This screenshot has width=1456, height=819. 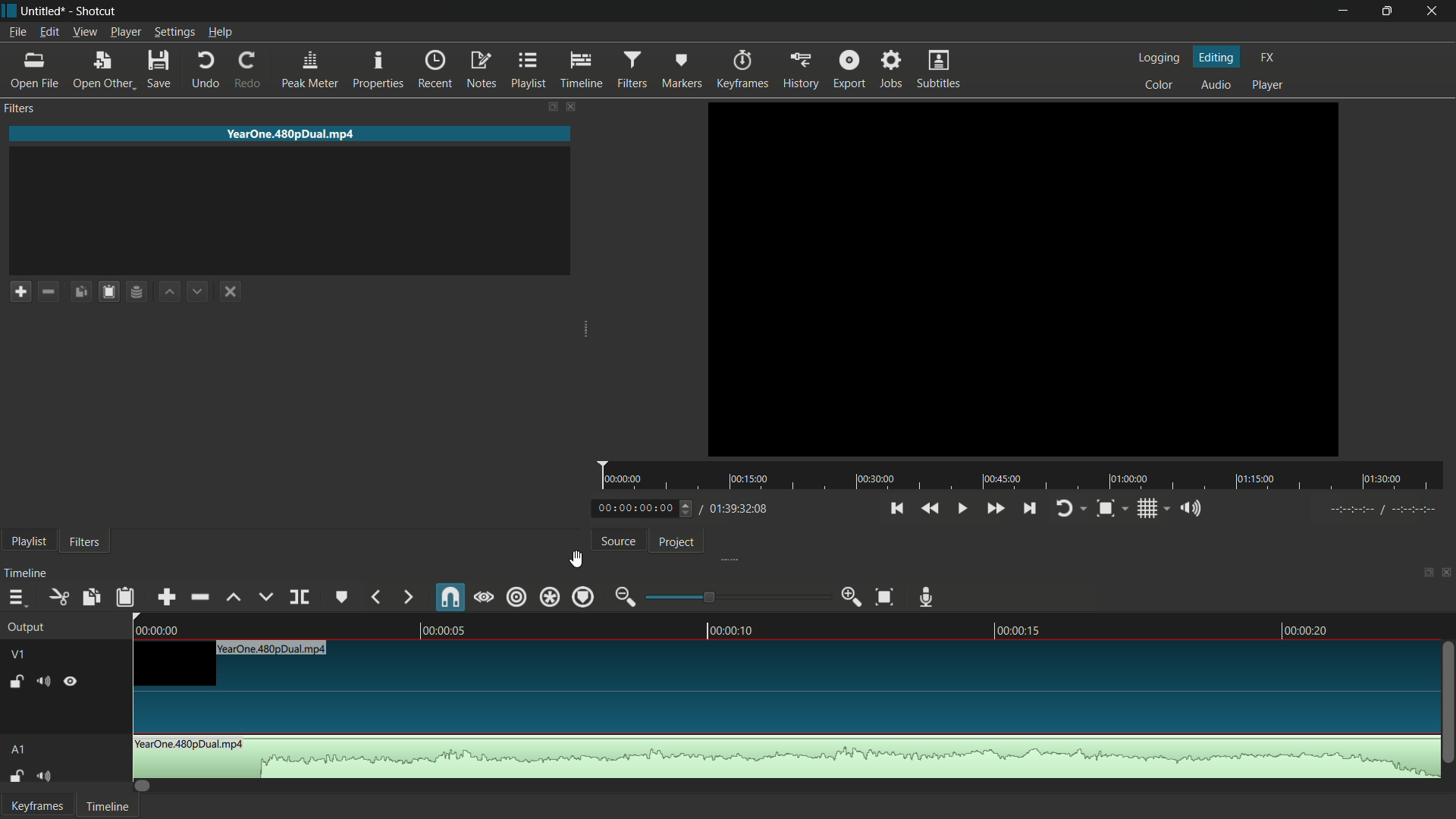 I want to click on next marker, so click(x=406, y=597).